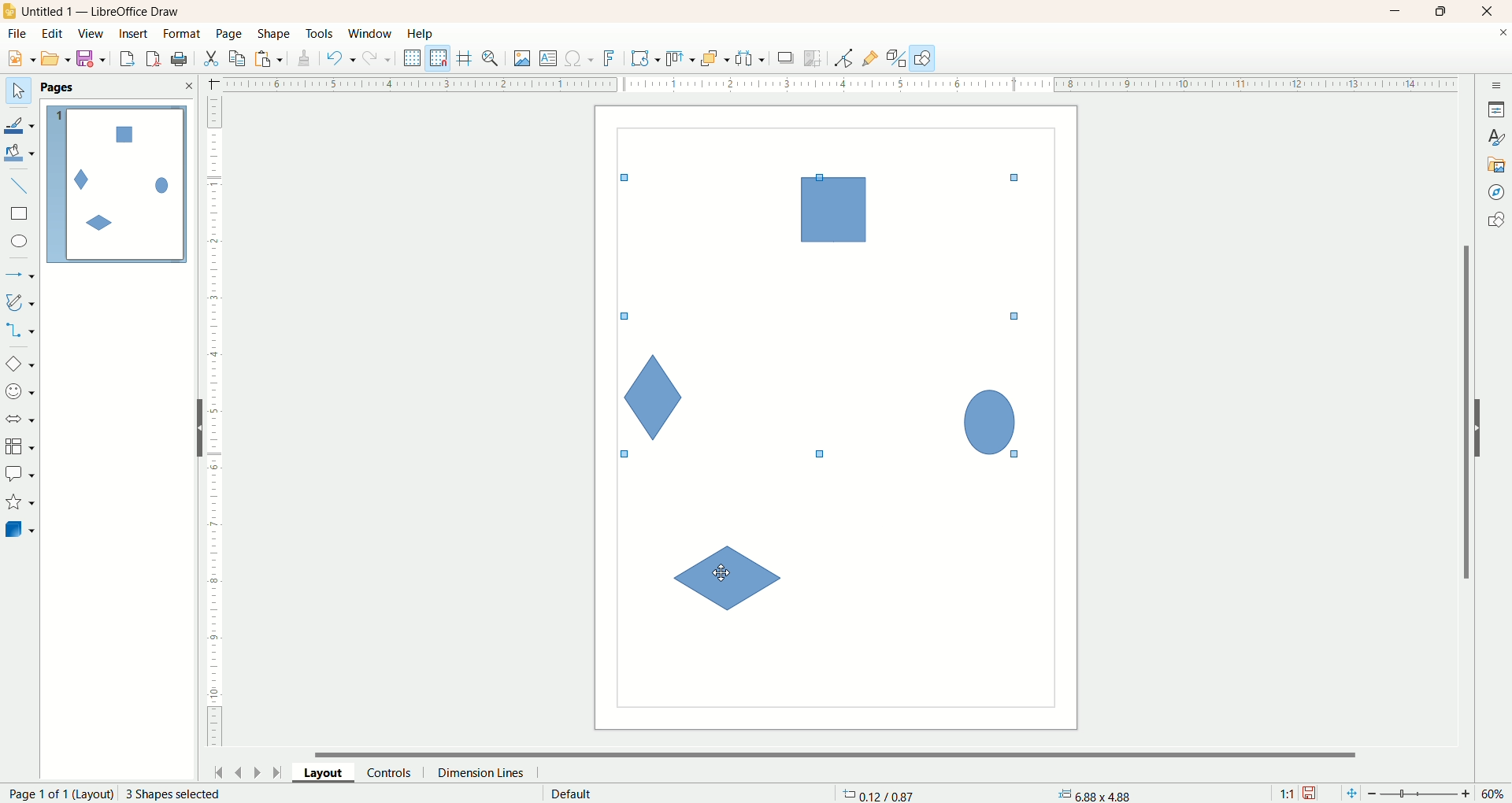 This screenshot has width=1512, height=803. I want to click on styles, so click(1496, 135).